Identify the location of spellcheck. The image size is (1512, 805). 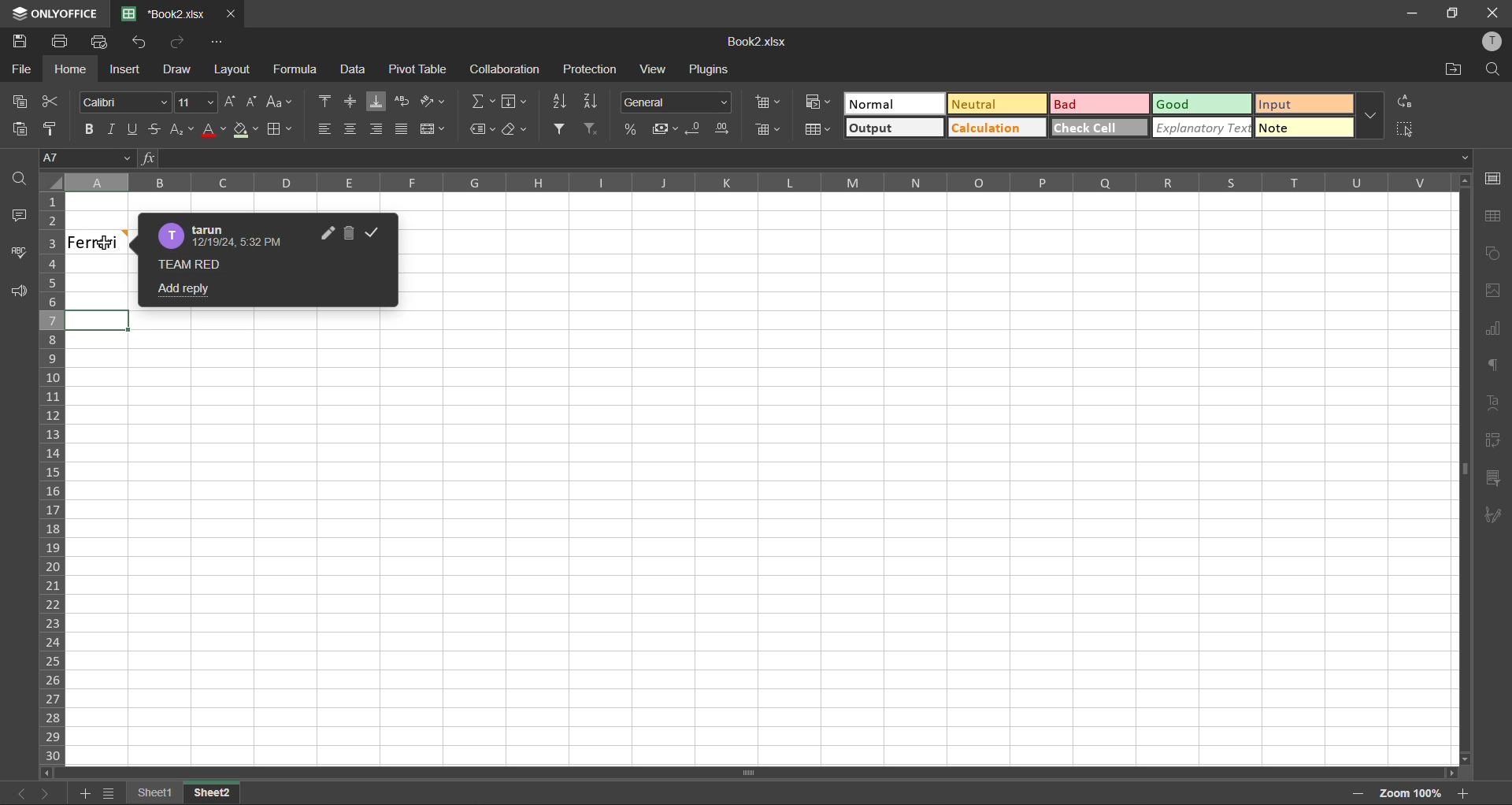
(19, 253).